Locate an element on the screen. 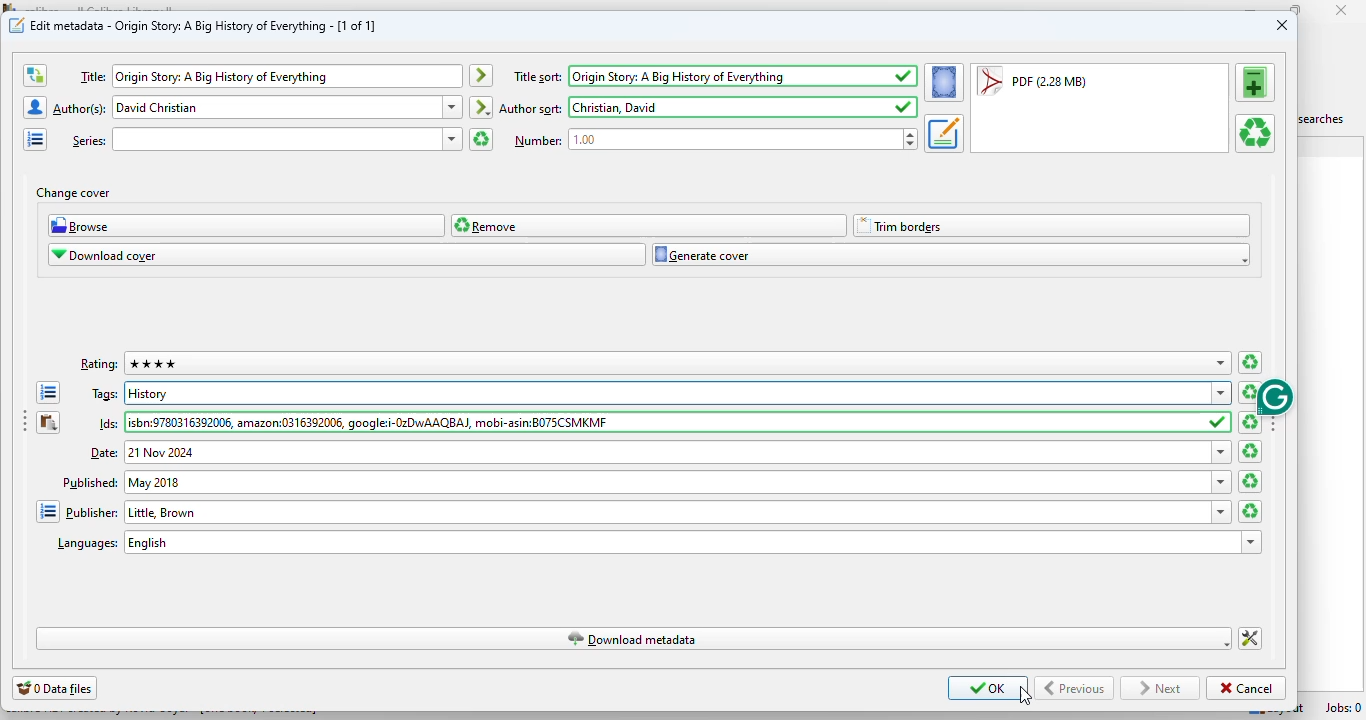 The height and width of the screenshot is (720, 1366). text is located at coordinates (531, 109).